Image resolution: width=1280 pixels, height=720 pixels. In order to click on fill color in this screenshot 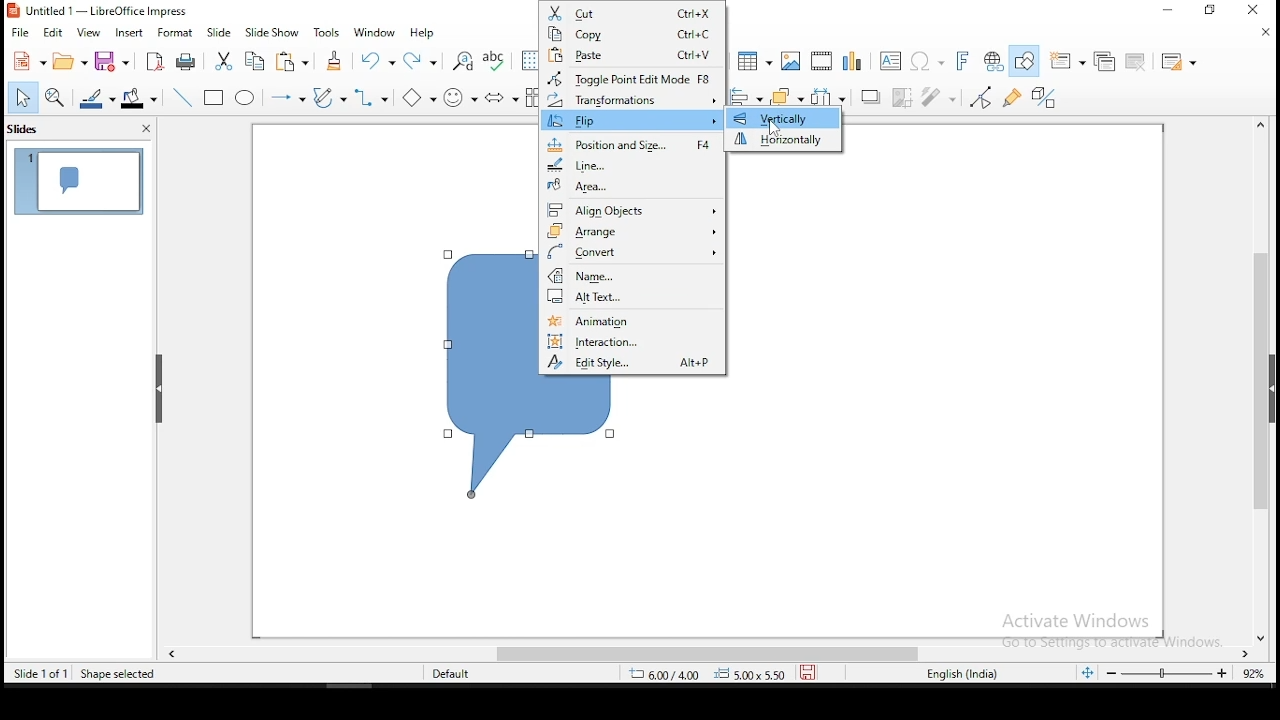, I will do `click(137, 99)`.